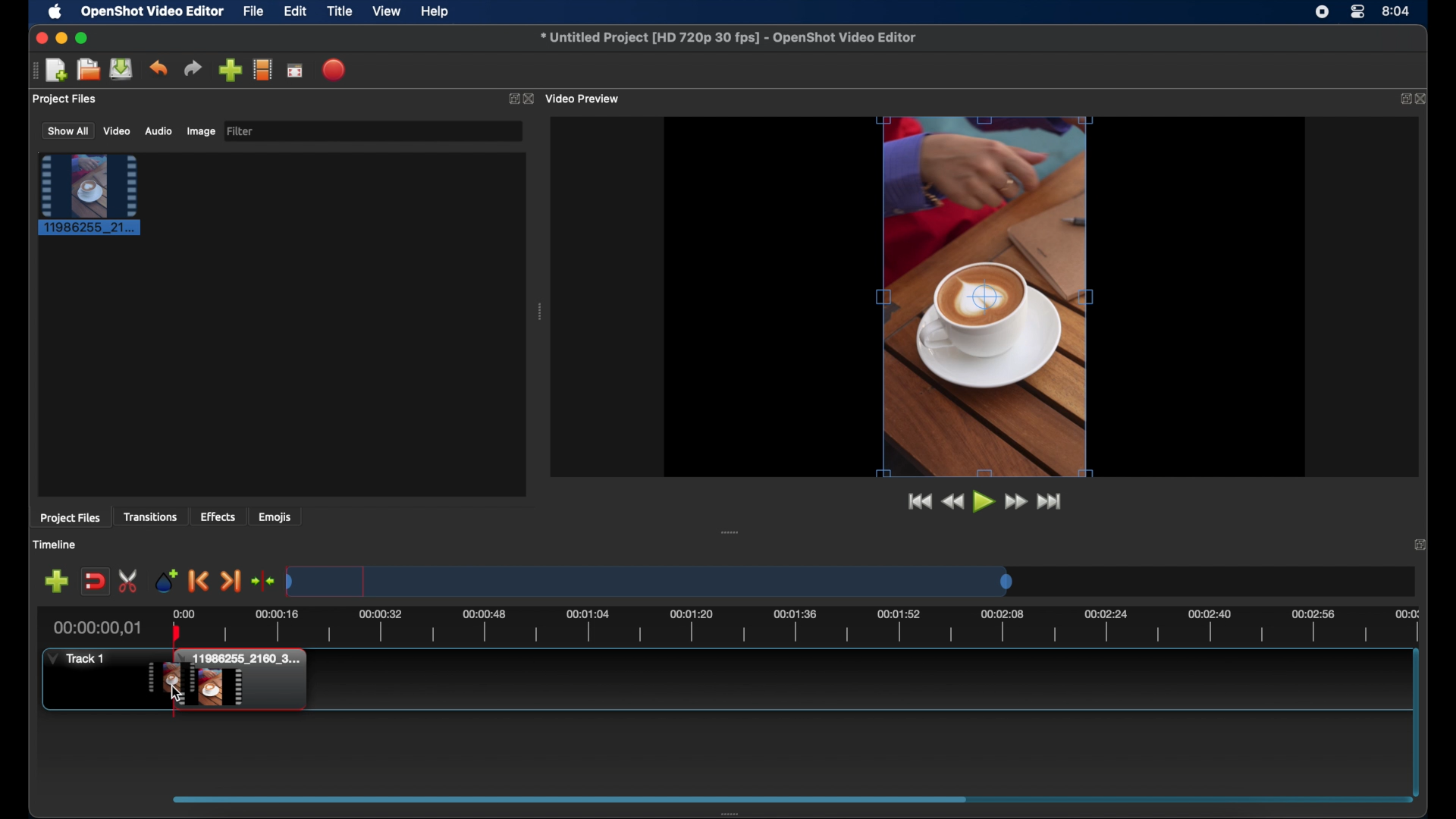 The image size is (1456, 819). Describe the element at coordinates (568, 797) in the screenshot. I see `scroll box` at that location.